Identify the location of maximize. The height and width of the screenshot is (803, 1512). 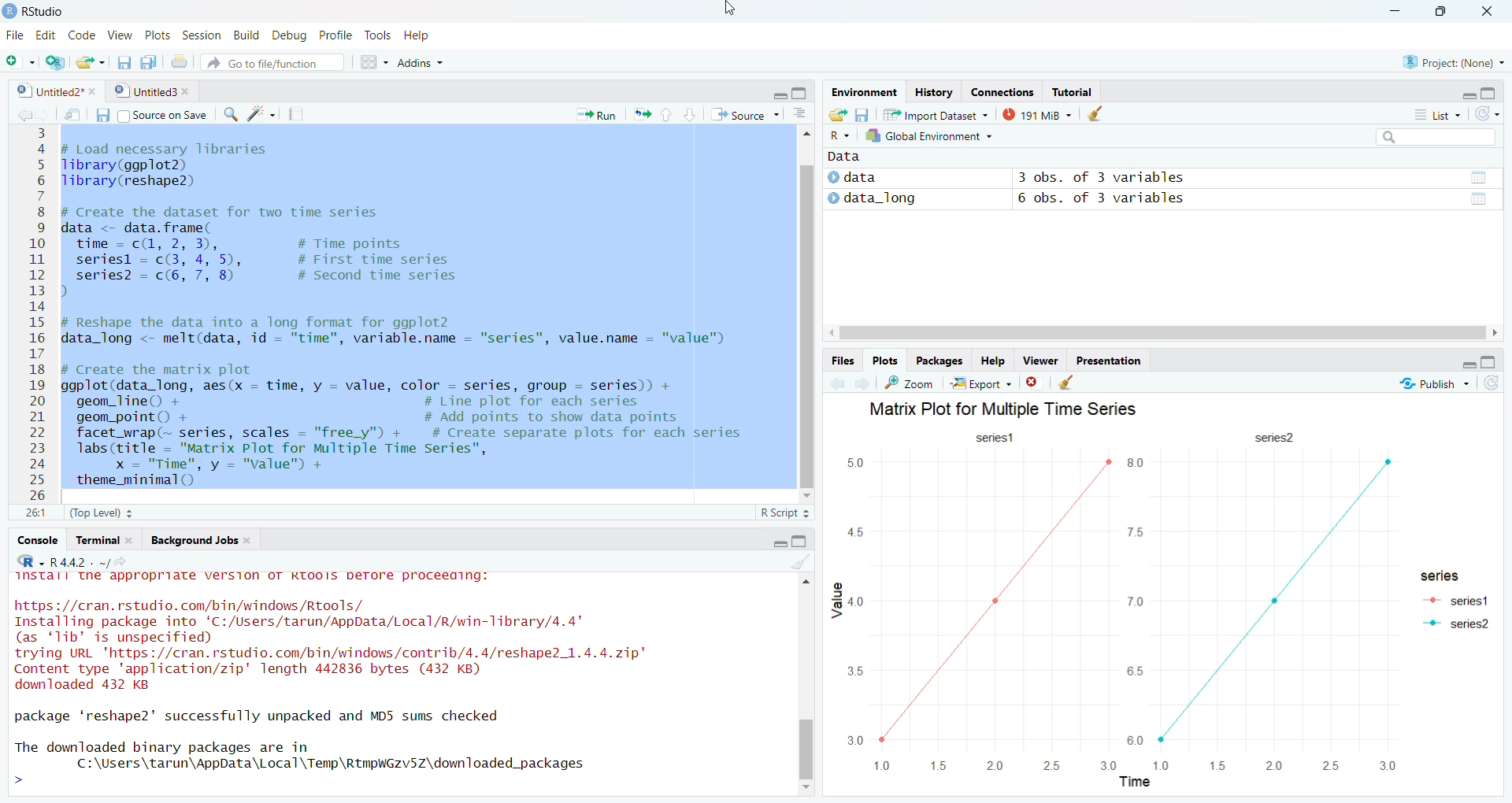
(1490, 362).